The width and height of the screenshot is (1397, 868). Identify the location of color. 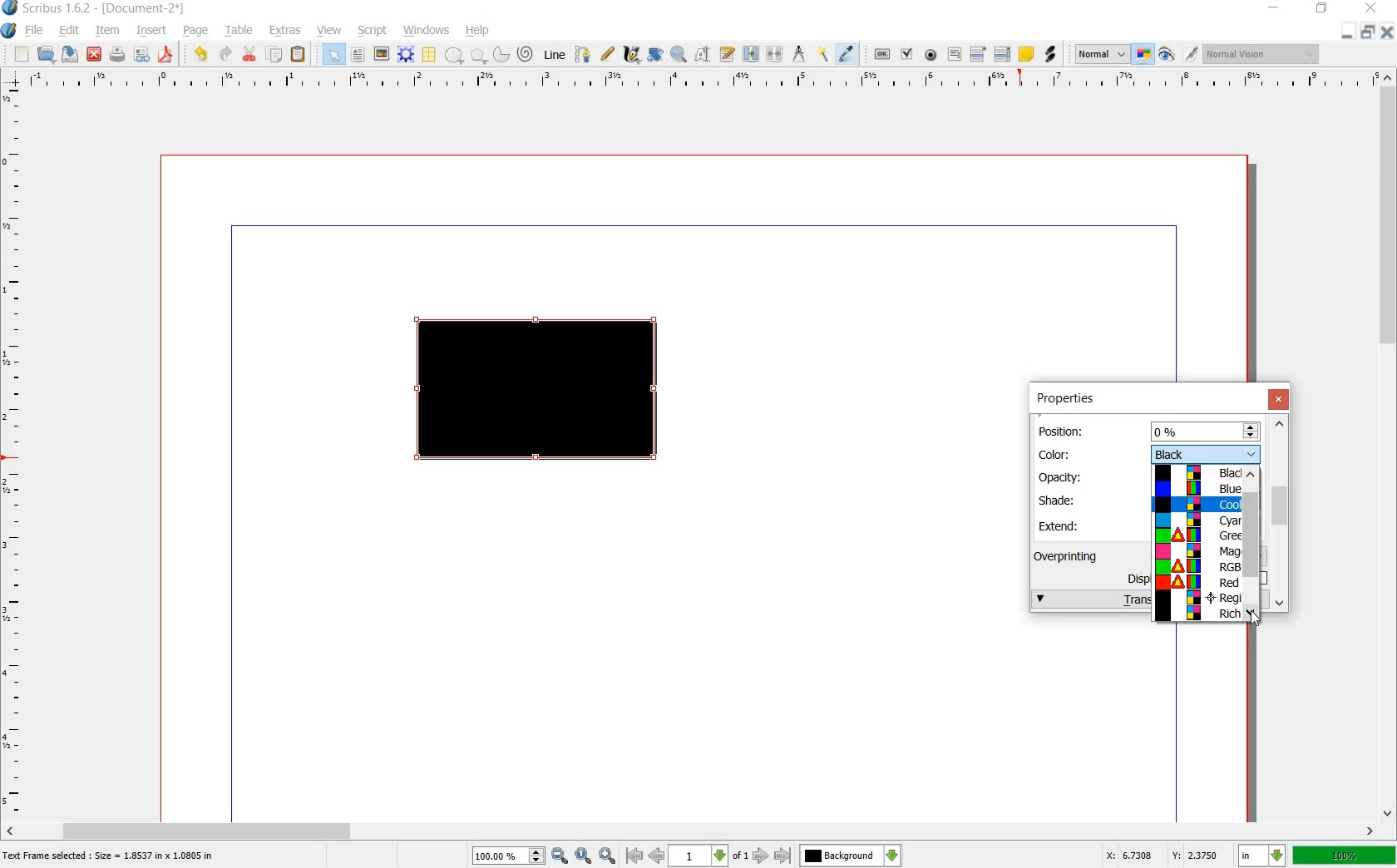
(1062, 453).